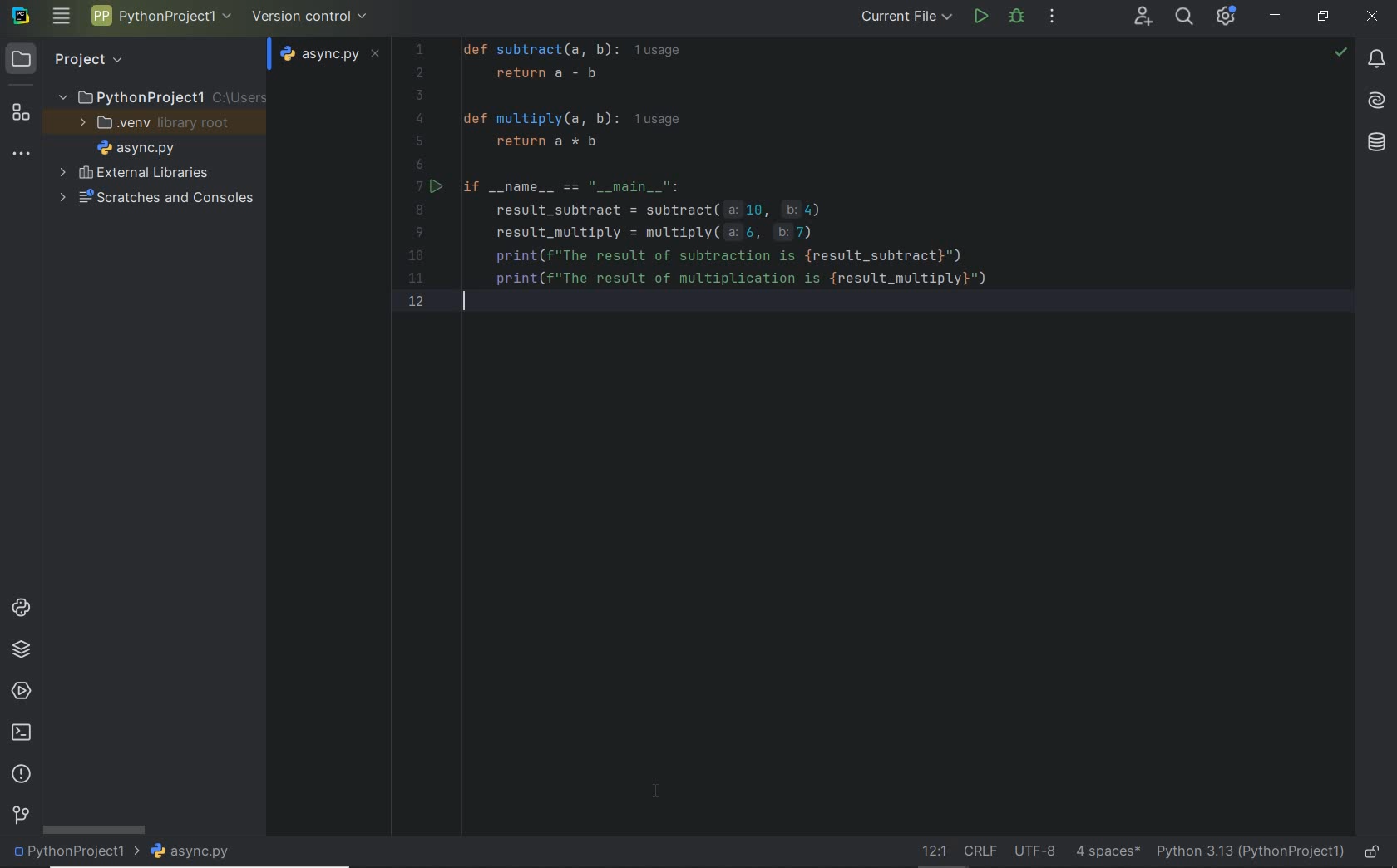 The image size is (1397, 868). What do you see at coordinates (24, 652) in the screenshot?
I see `python packages` at bounding box center [24, 652].